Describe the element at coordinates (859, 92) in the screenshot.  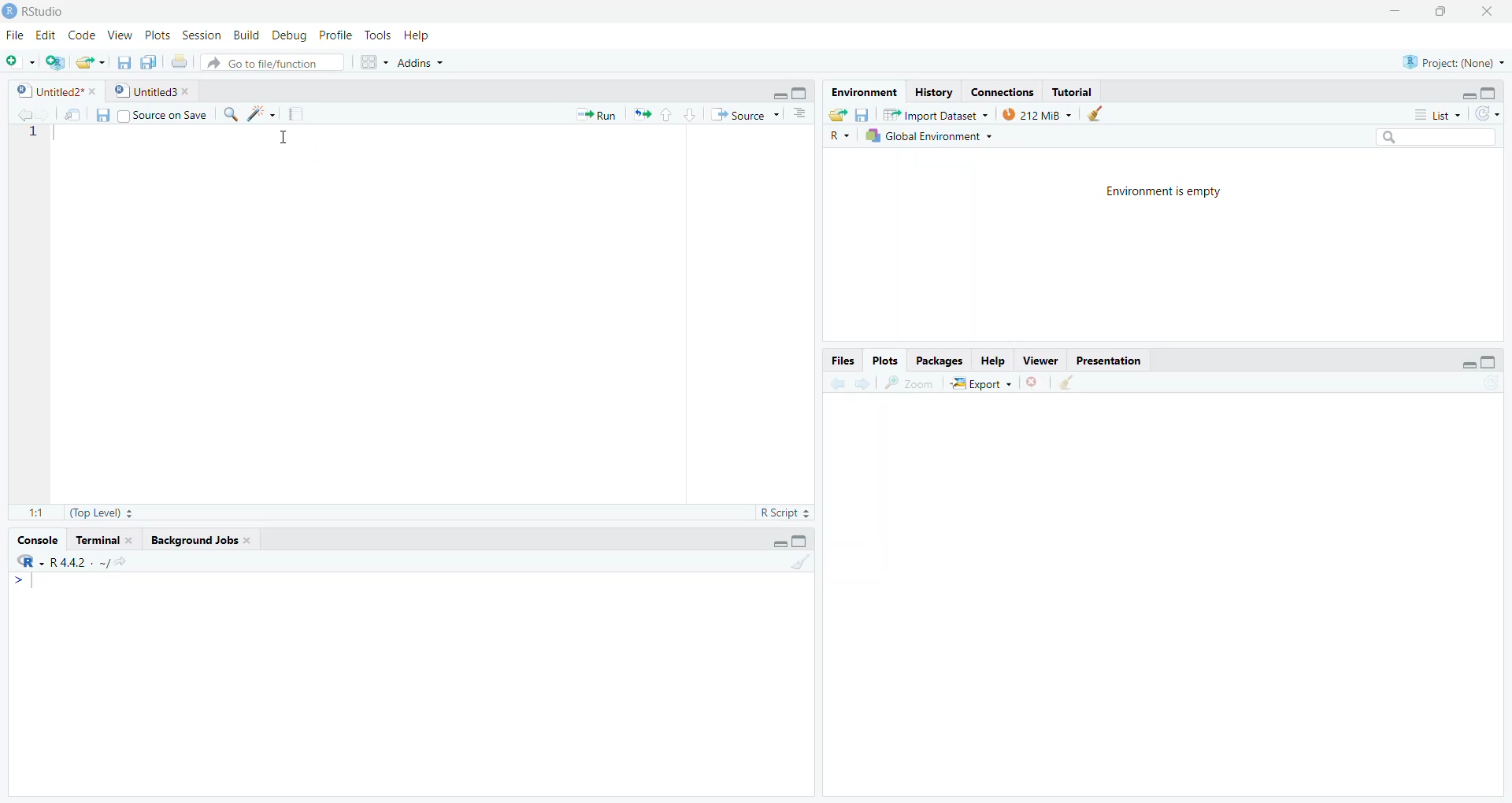
I see `environment` at that location.